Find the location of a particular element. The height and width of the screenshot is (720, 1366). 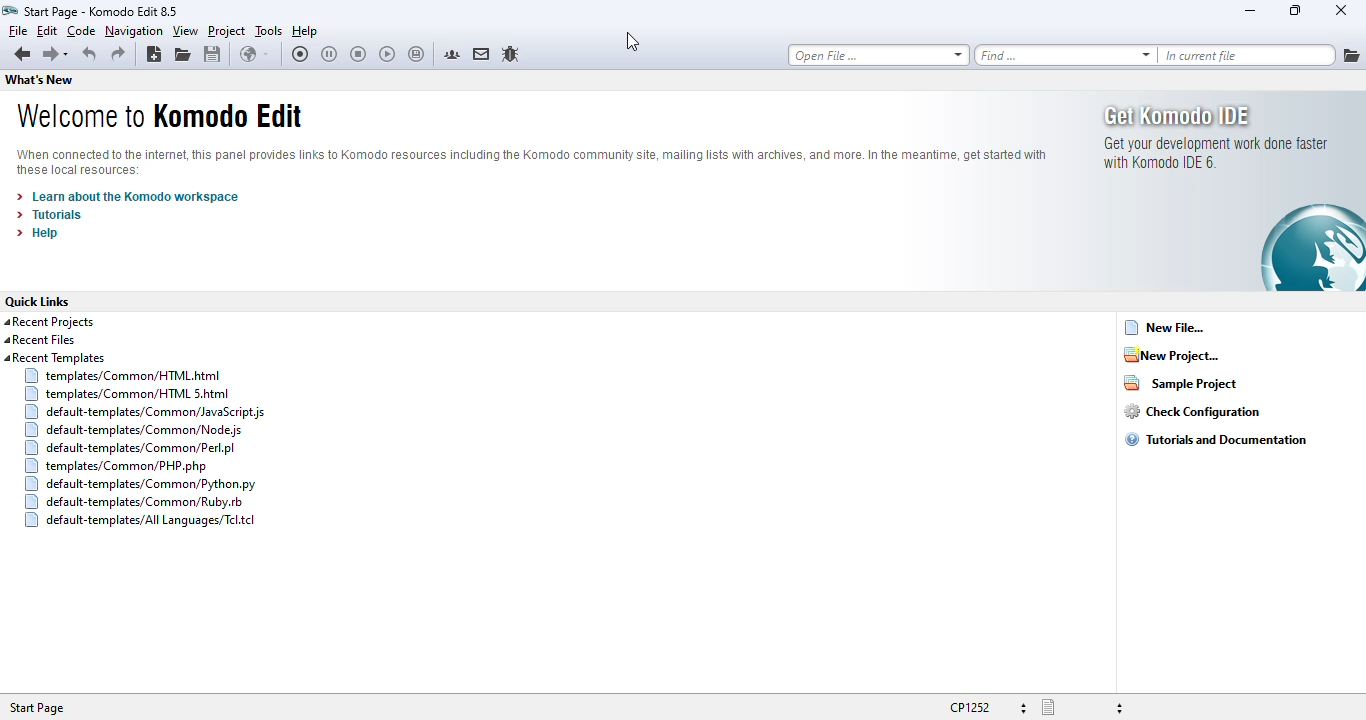

tutorials and documentation is located at coordinates (1216, 439).